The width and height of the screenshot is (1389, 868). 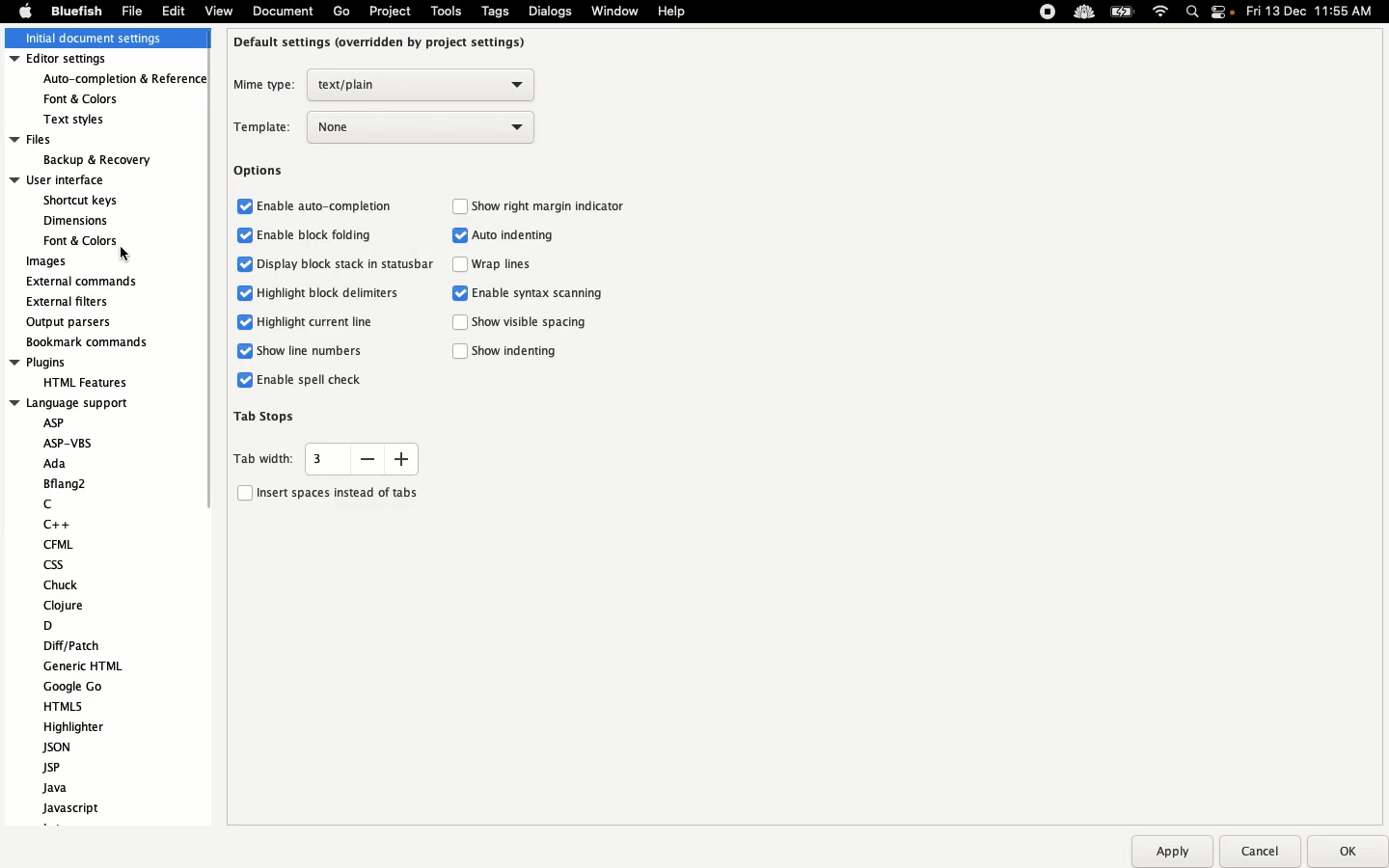 I want to click on backup & recovery, so click(x=95, y=160).